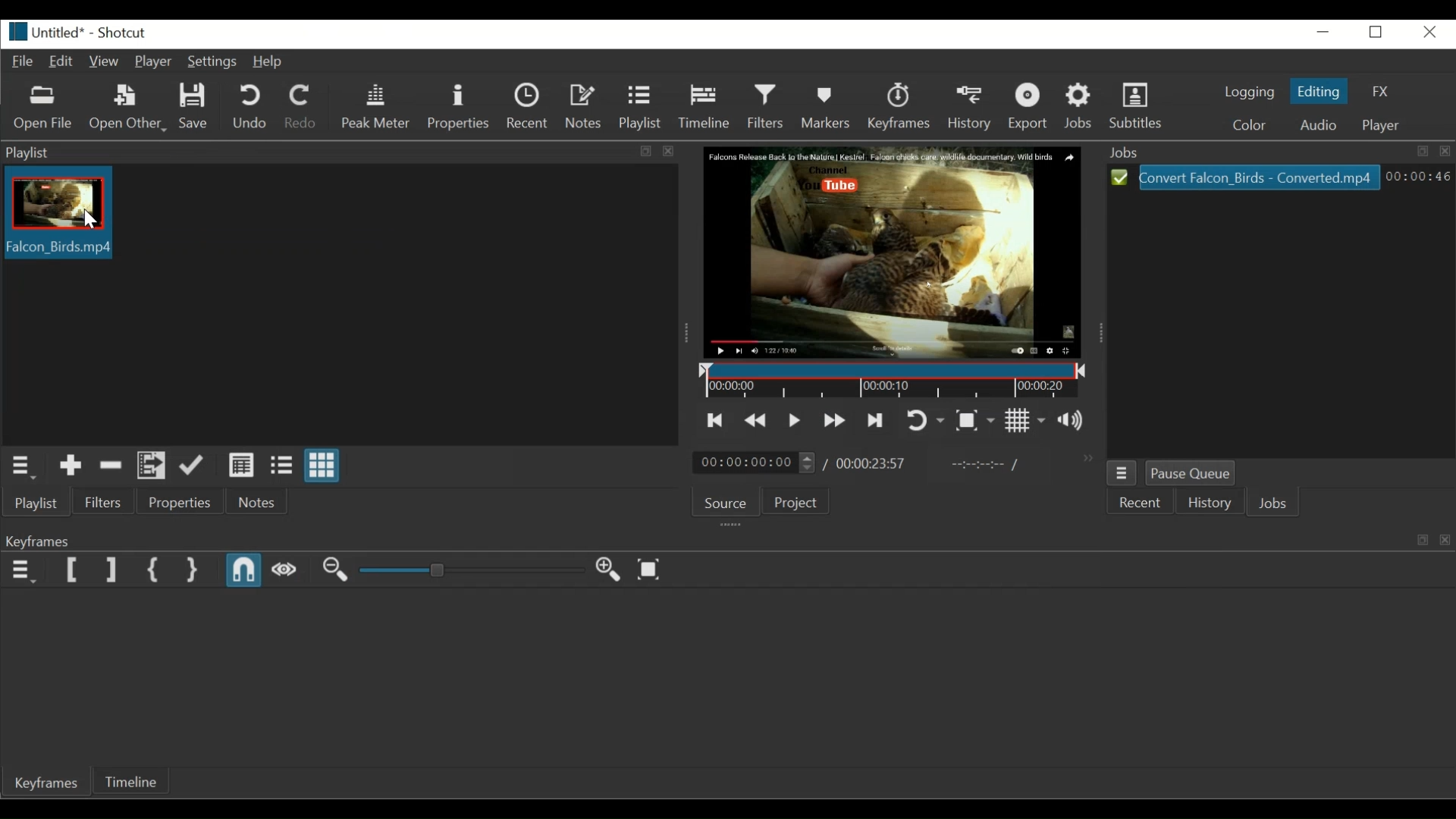  I want to click on Player, so click(1381, 127).